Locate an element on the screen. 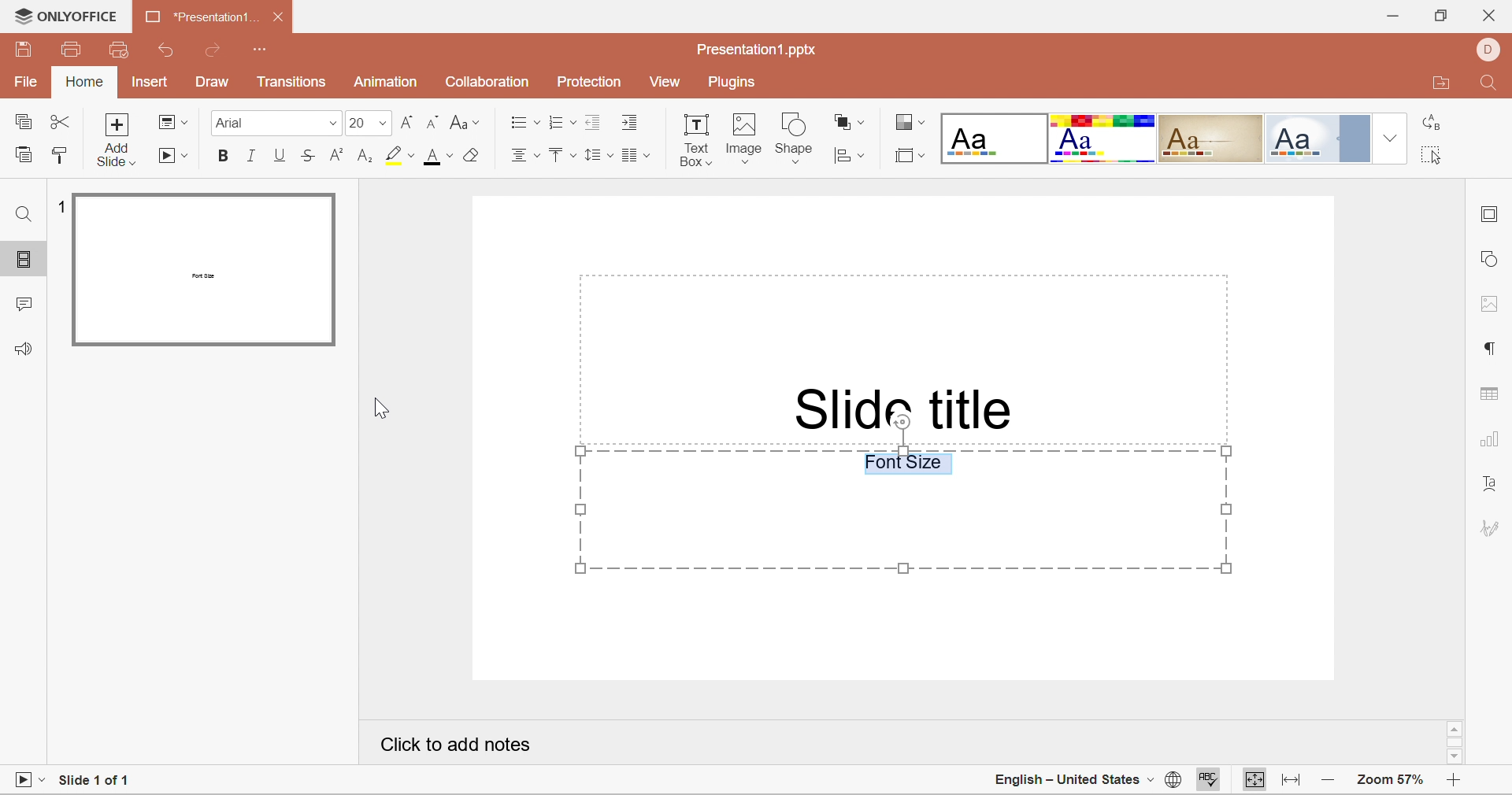 This screenshot has width=1512, height=795. Highlight color is located at coordinates (399, 158).